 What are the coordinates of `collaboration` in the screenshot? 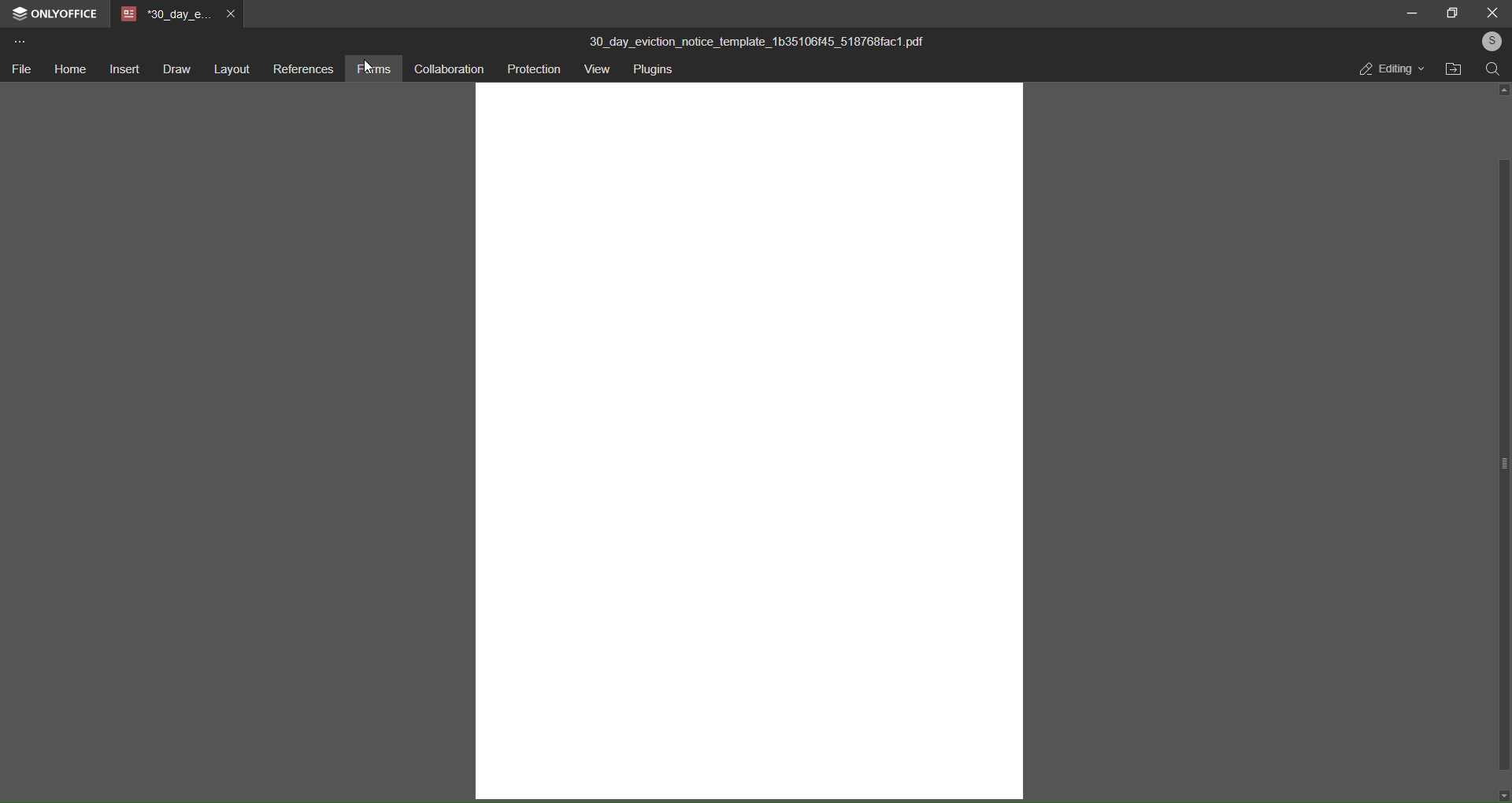 It's located at (451, 68).